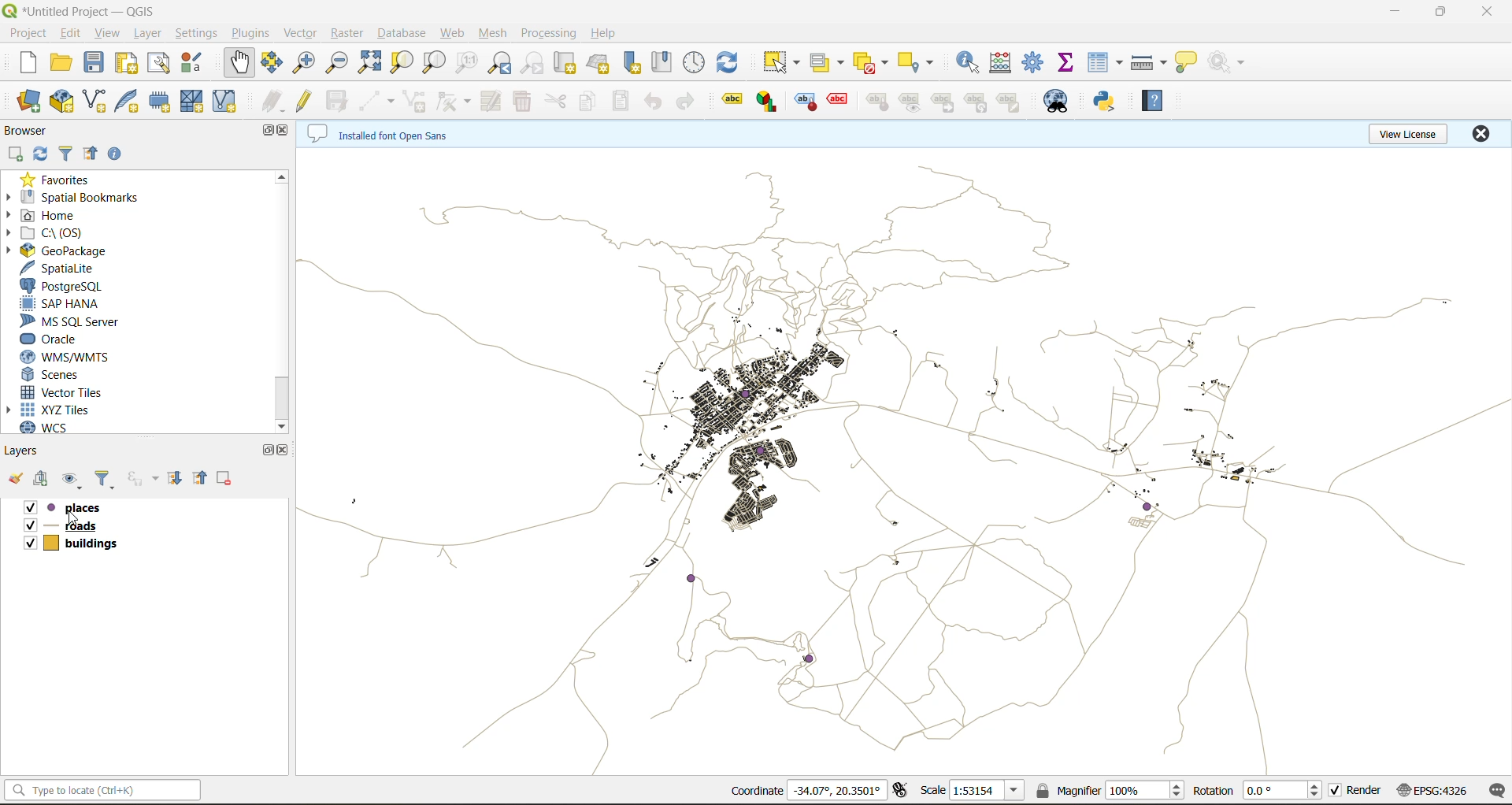  Describe the element at coordinates (730, 61) in the screenshot. I see `refresh` at that location.